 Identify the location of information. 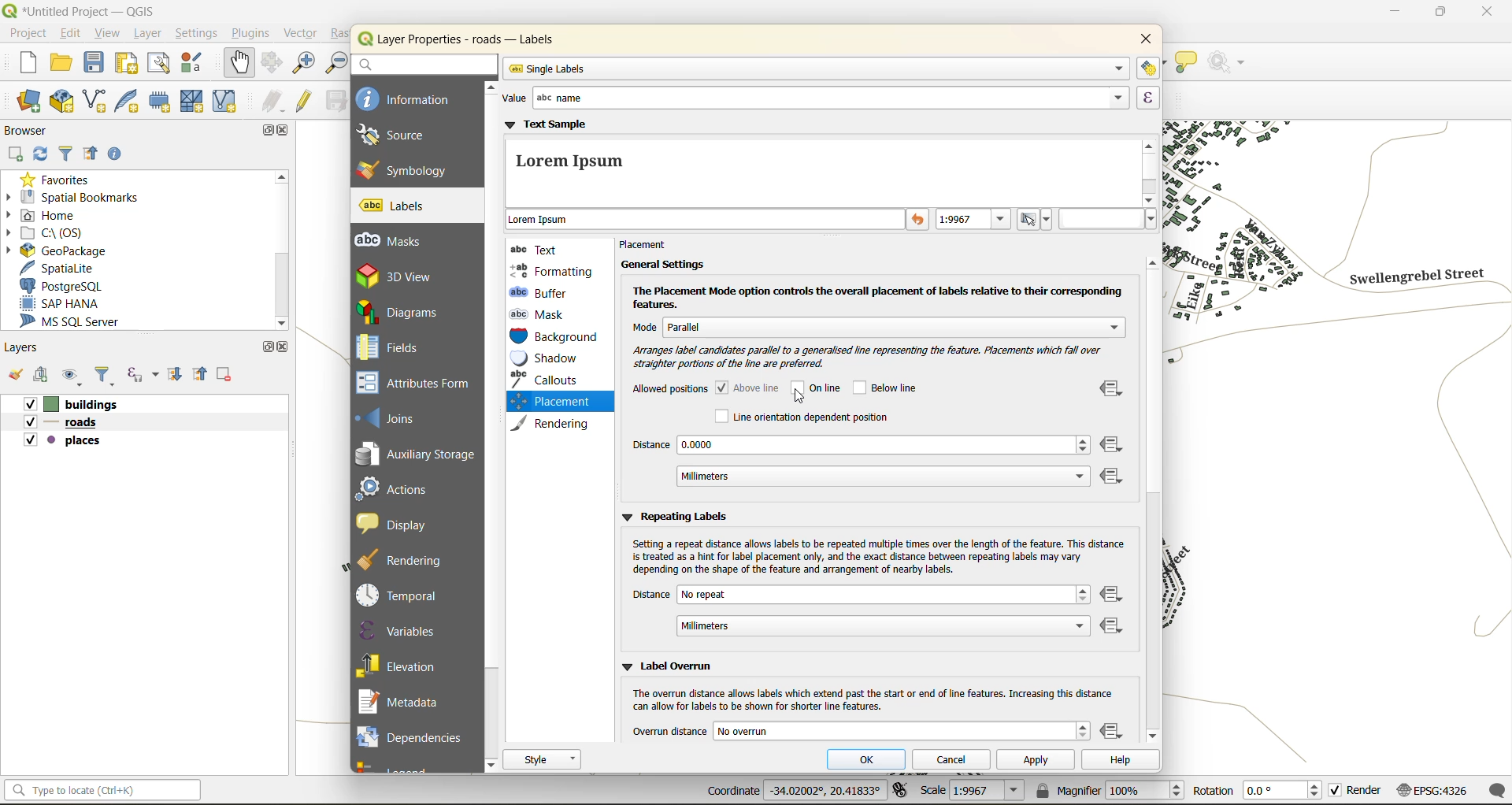
(406, 98).